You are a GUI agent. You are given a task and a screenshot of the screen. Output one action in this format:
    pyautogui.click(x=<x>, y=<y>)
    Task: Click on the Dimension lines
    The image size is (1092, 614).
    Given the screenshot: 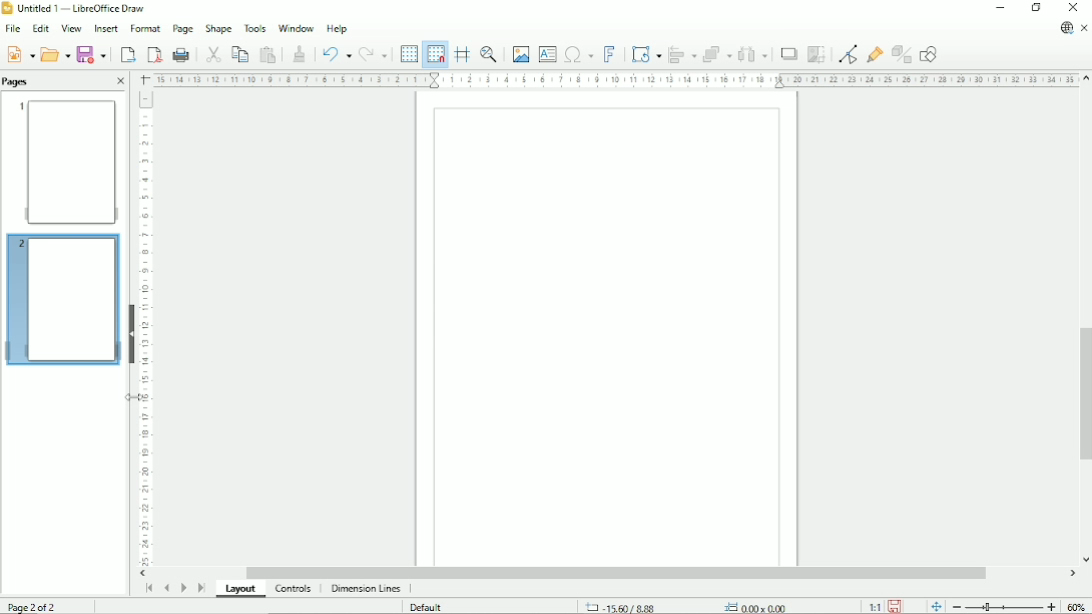 What is the action you would take?
    pyautogui.click(x=365, y=589)
    